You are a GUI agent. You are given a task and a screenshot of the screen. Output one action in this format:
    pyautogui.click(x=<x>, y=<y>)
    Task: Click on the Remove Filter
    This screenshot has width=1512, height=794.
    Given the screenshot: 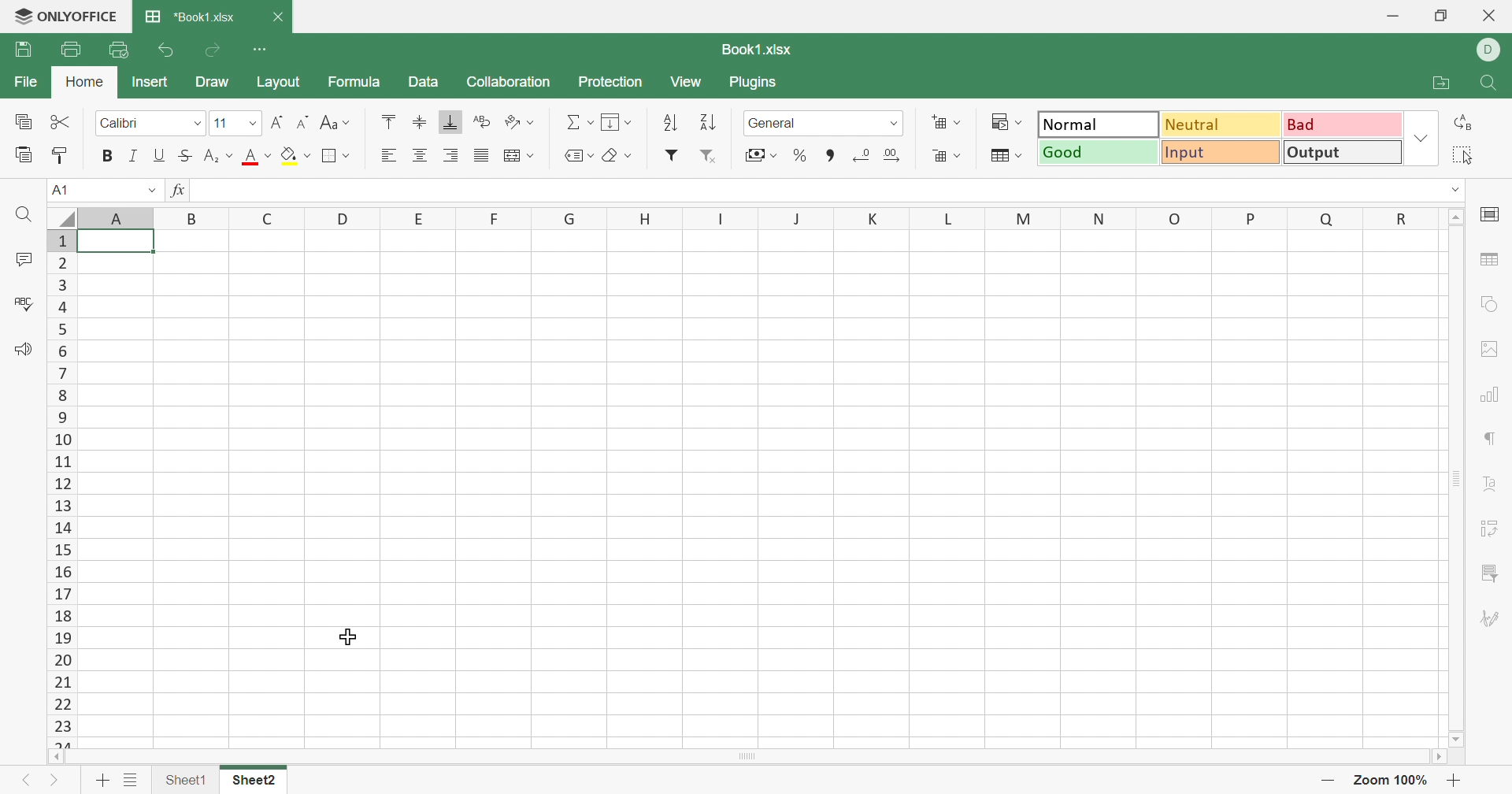 What is the action you would take?
    pyautogui.click(x=707, y=155)
    